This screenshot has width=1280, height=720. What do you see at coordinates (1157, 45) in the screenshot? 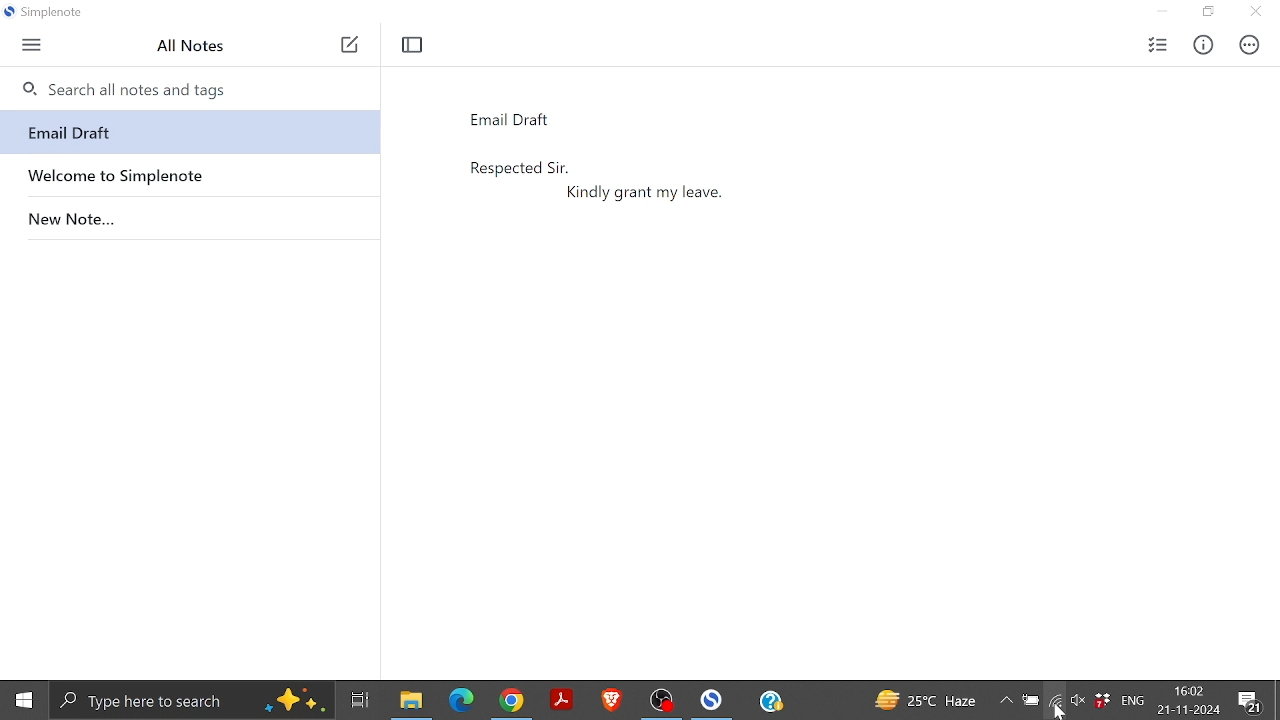
I see `Checklist` at bounding box center [1157, 45].